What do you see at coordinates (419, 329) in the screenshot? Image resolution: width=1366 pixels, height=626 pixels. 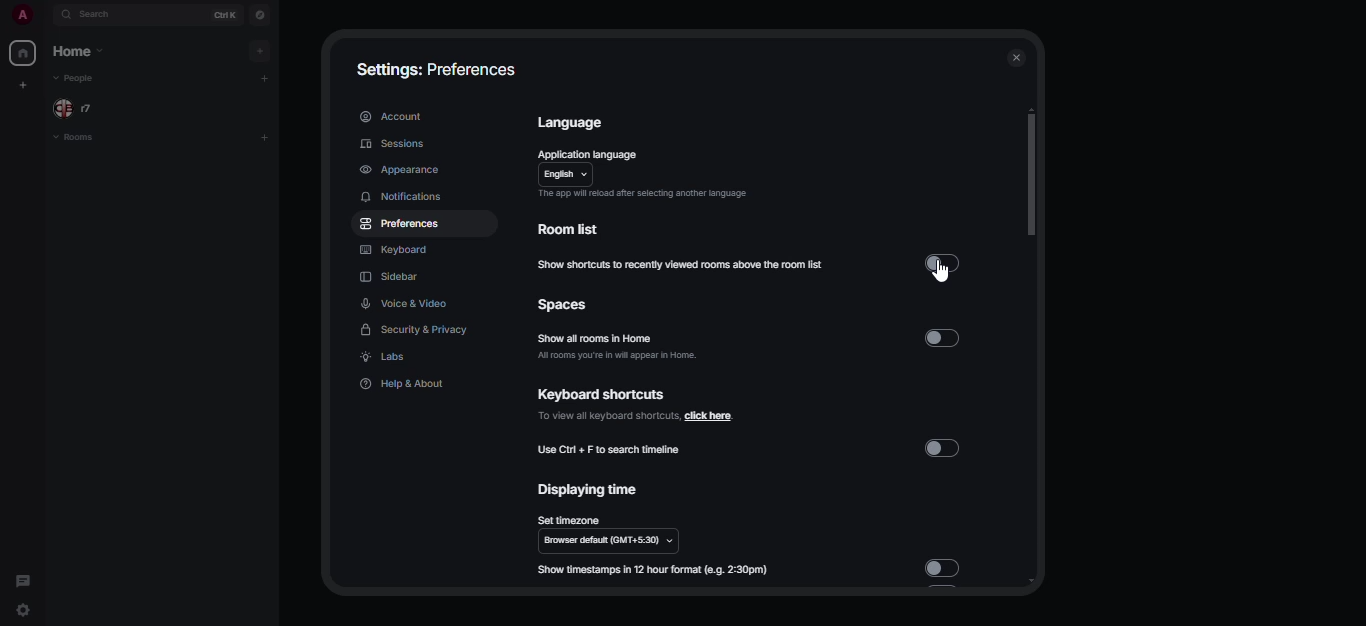 I see `security & privacy` at bounding box center [419, 329].